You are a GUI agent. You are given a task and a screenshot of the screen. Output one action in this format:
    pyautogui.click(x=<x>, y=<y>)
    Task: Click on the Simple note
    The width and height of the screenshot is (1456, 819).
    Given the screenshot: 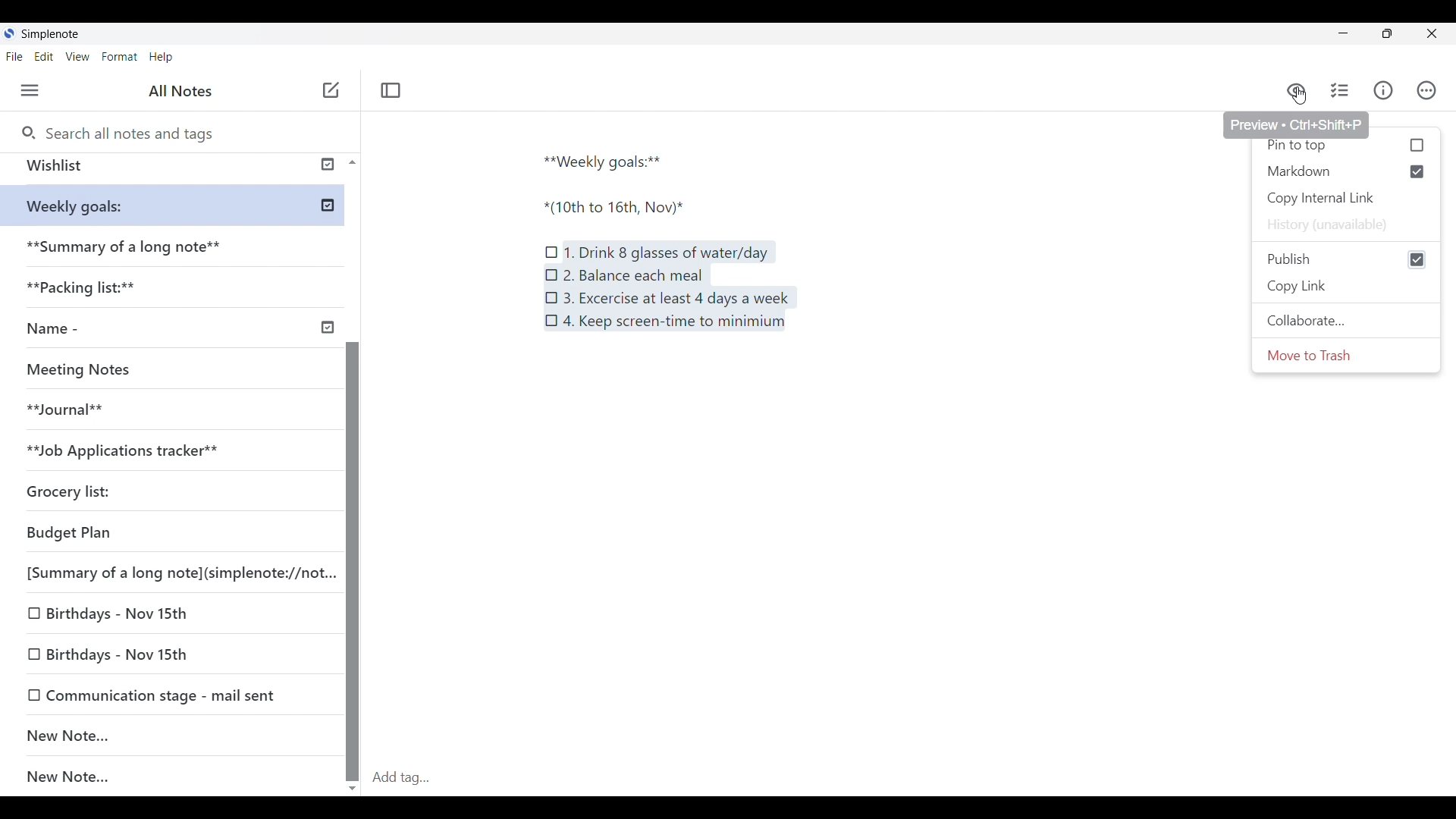 What is the action you would take?
    pyautogui.click(x=52, y=33)
    